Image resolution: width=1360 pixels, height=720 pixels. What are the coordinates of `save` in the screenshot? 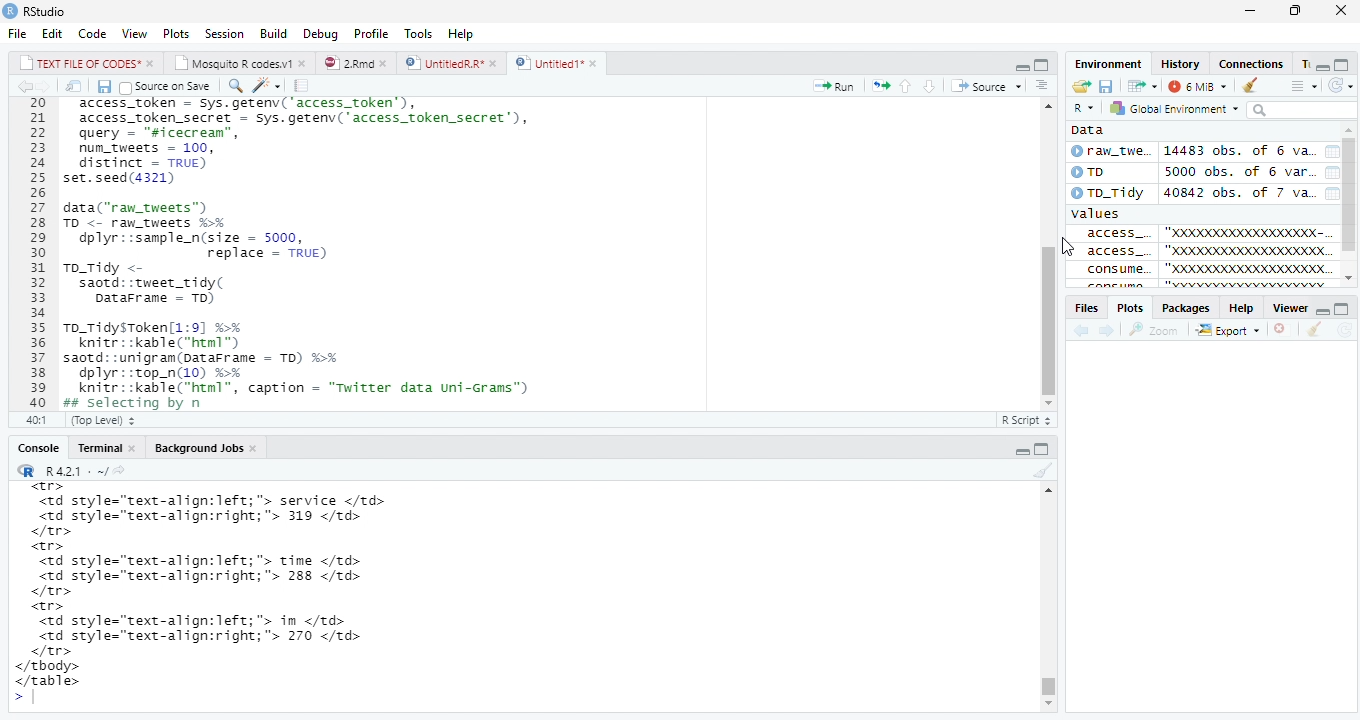 It's located at (1104, 86).